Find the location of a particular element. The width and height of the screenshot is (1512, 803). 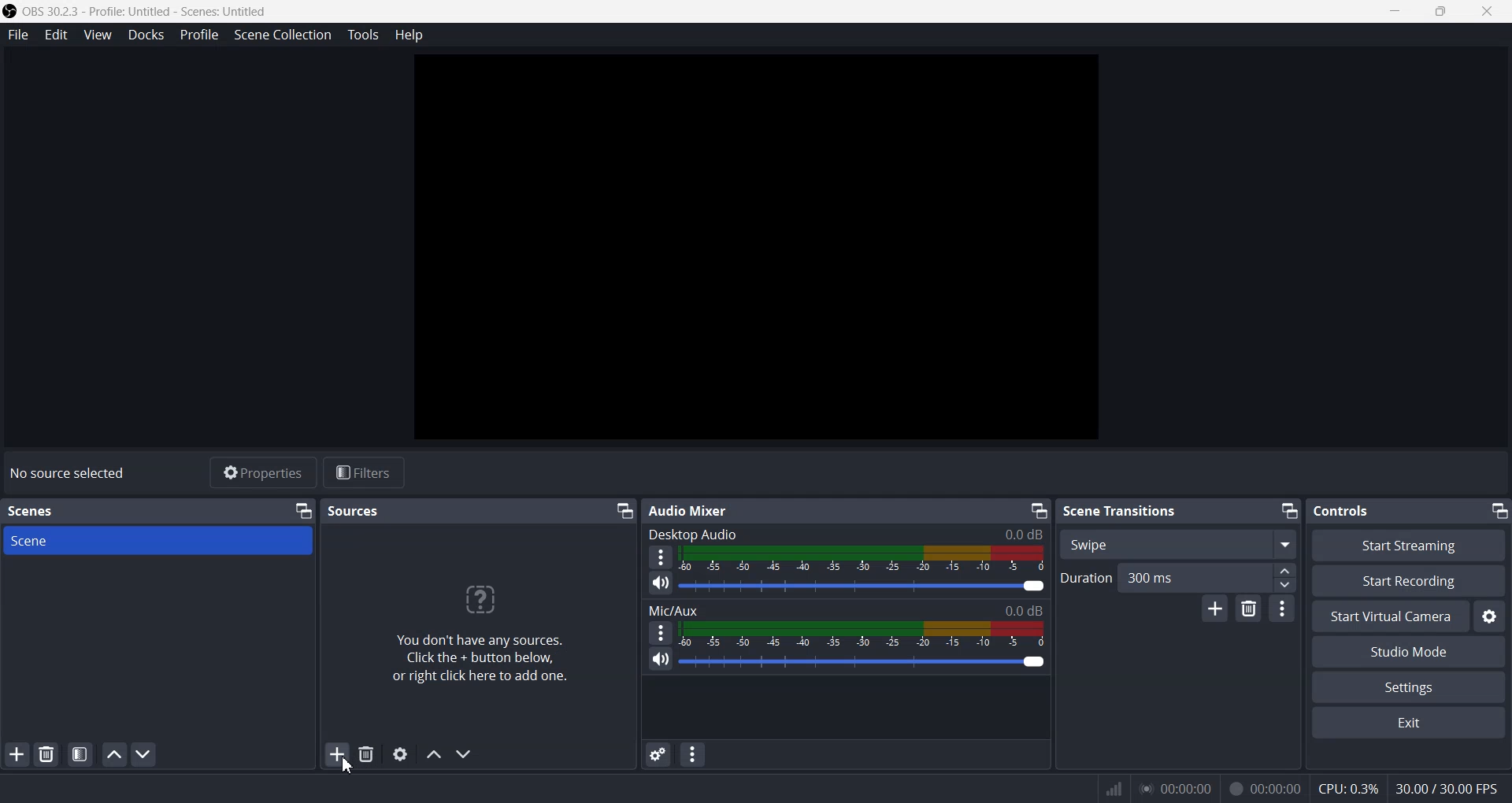

Scene Transitions is located at coordinates (1121, 510).